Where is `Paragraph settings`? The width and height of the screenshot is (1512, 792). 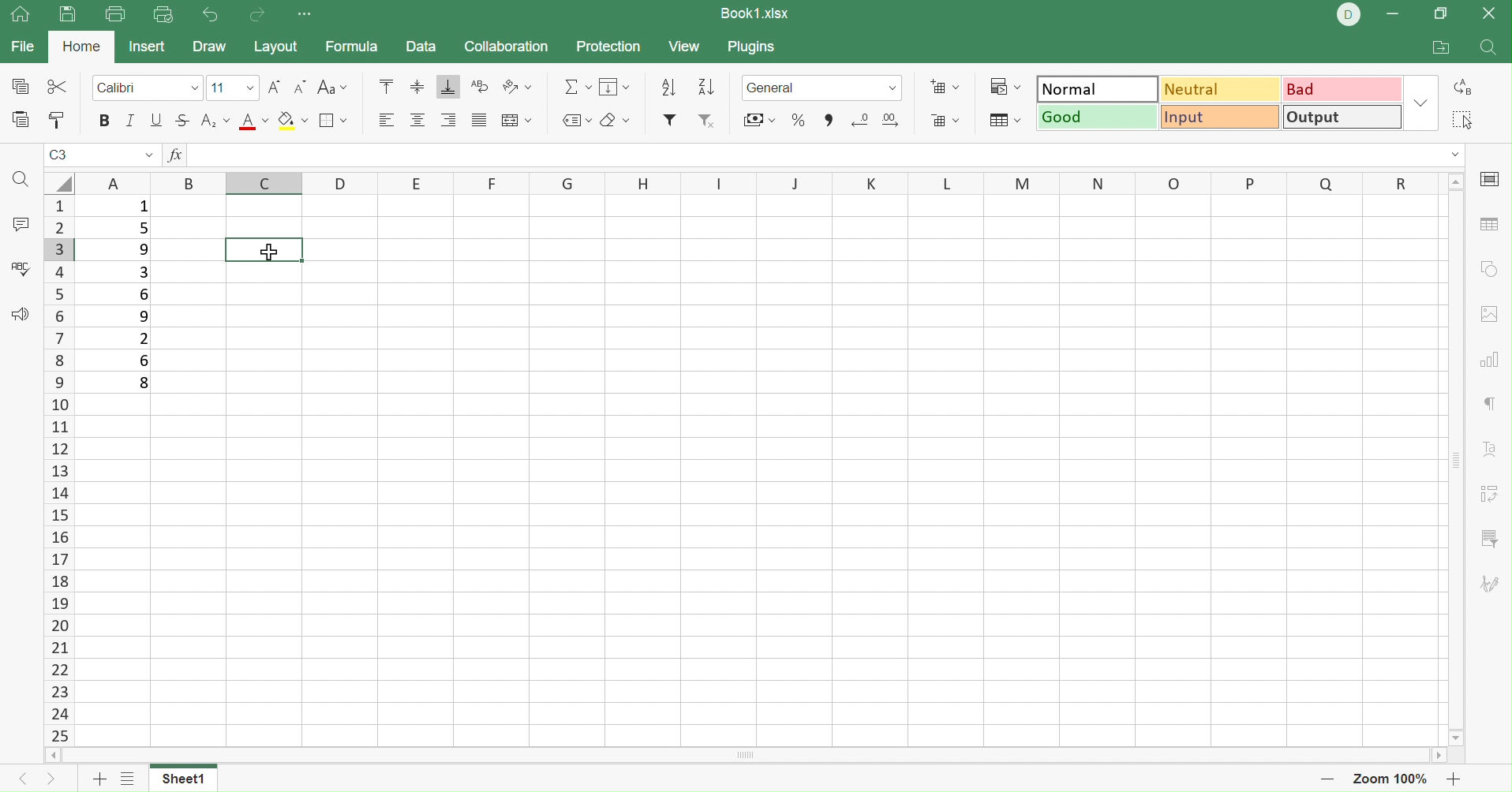
Paragraph settings is located at coordinates (1493, 404).